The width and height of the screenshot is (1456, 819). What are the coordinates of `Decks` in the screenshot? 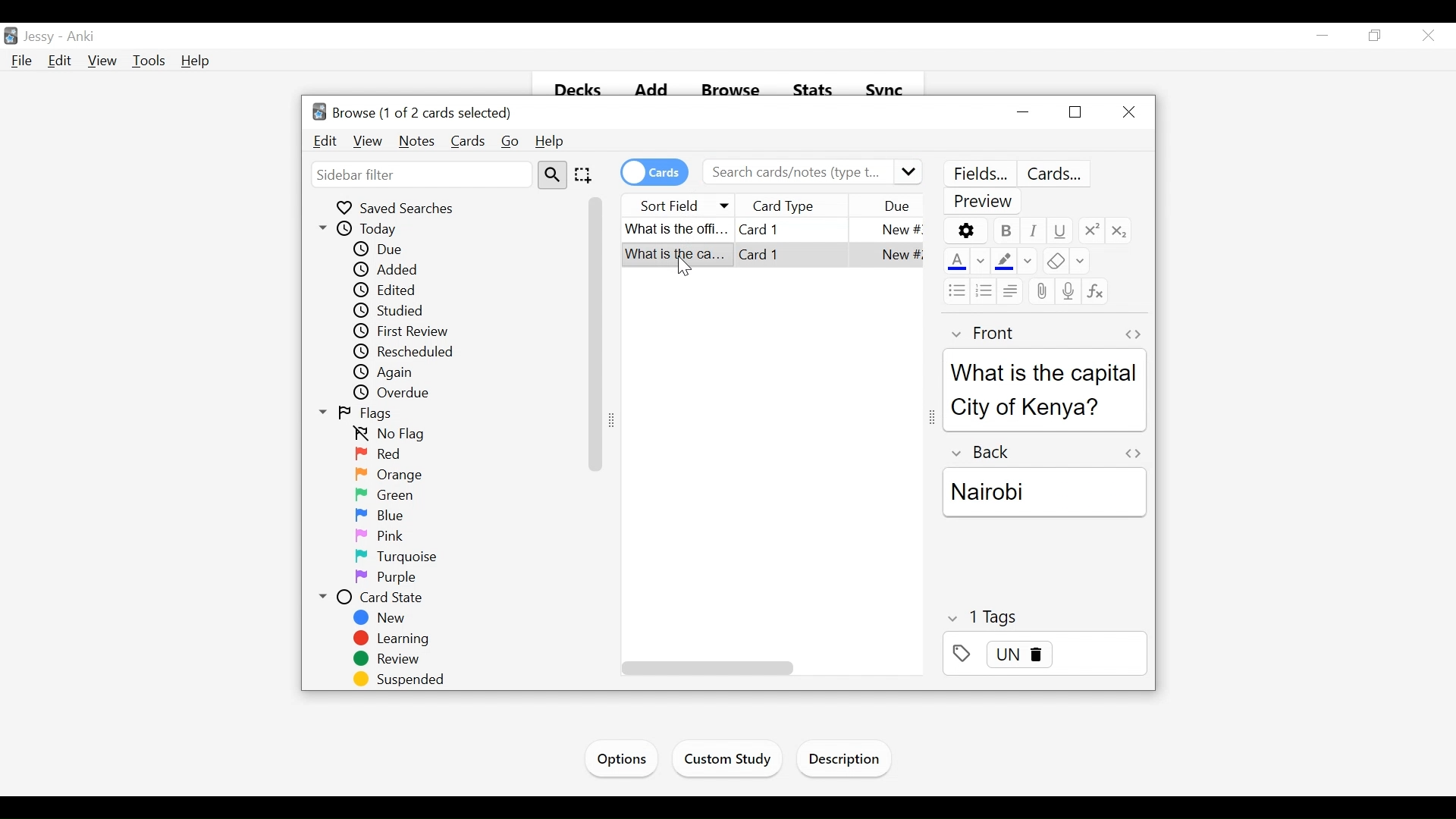 It's located at (571, 92).